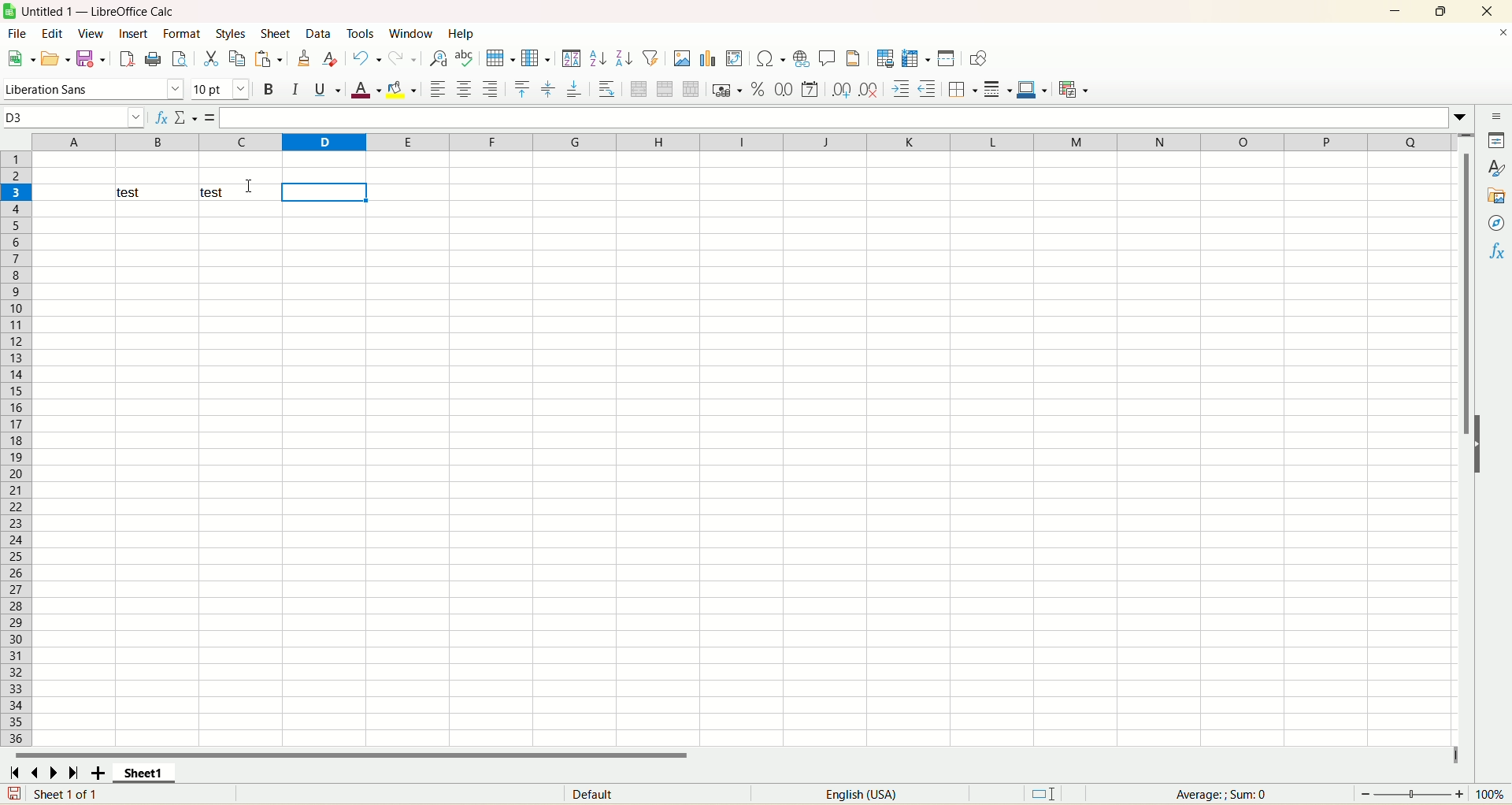 This screenshot has width=1512, height=805. Describe the element at coordinates (32, 772) in the screenshot. I see `previous sheet` at that location.